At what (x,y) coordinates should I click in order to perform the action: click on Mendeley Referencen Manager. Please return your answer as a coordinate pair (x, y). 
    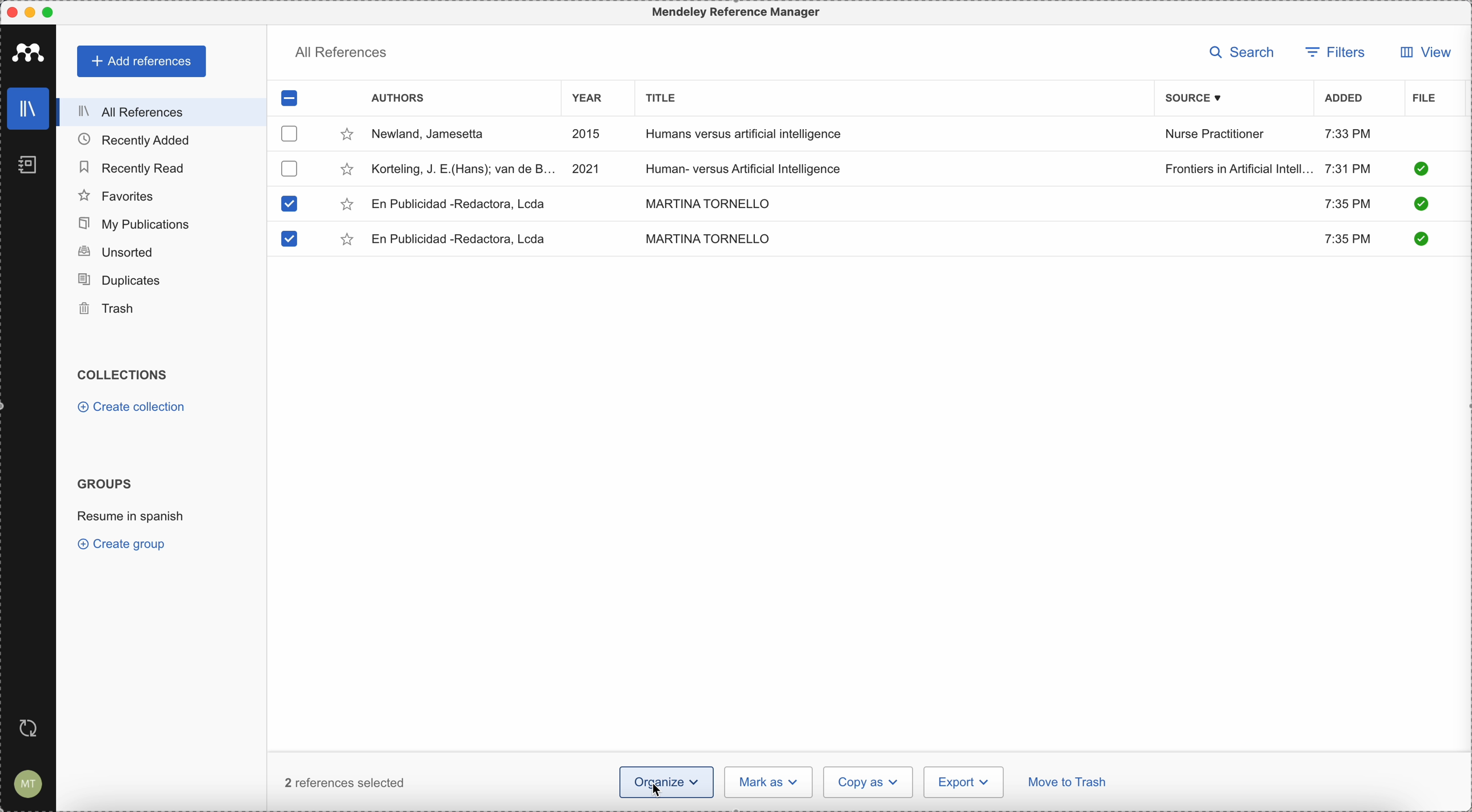
    Looking at the image, I should click on (739, 13).